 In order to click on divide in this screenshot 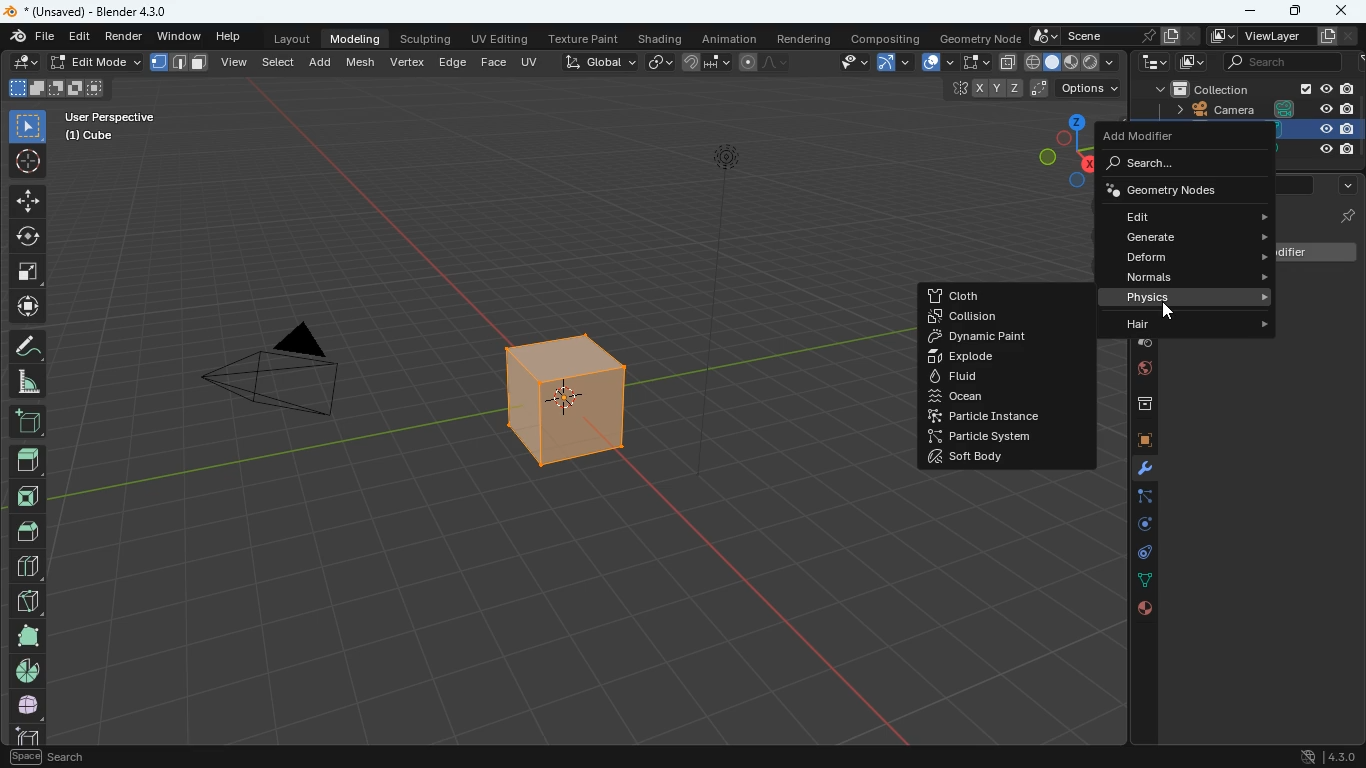, I will do `click(29, 565)`.